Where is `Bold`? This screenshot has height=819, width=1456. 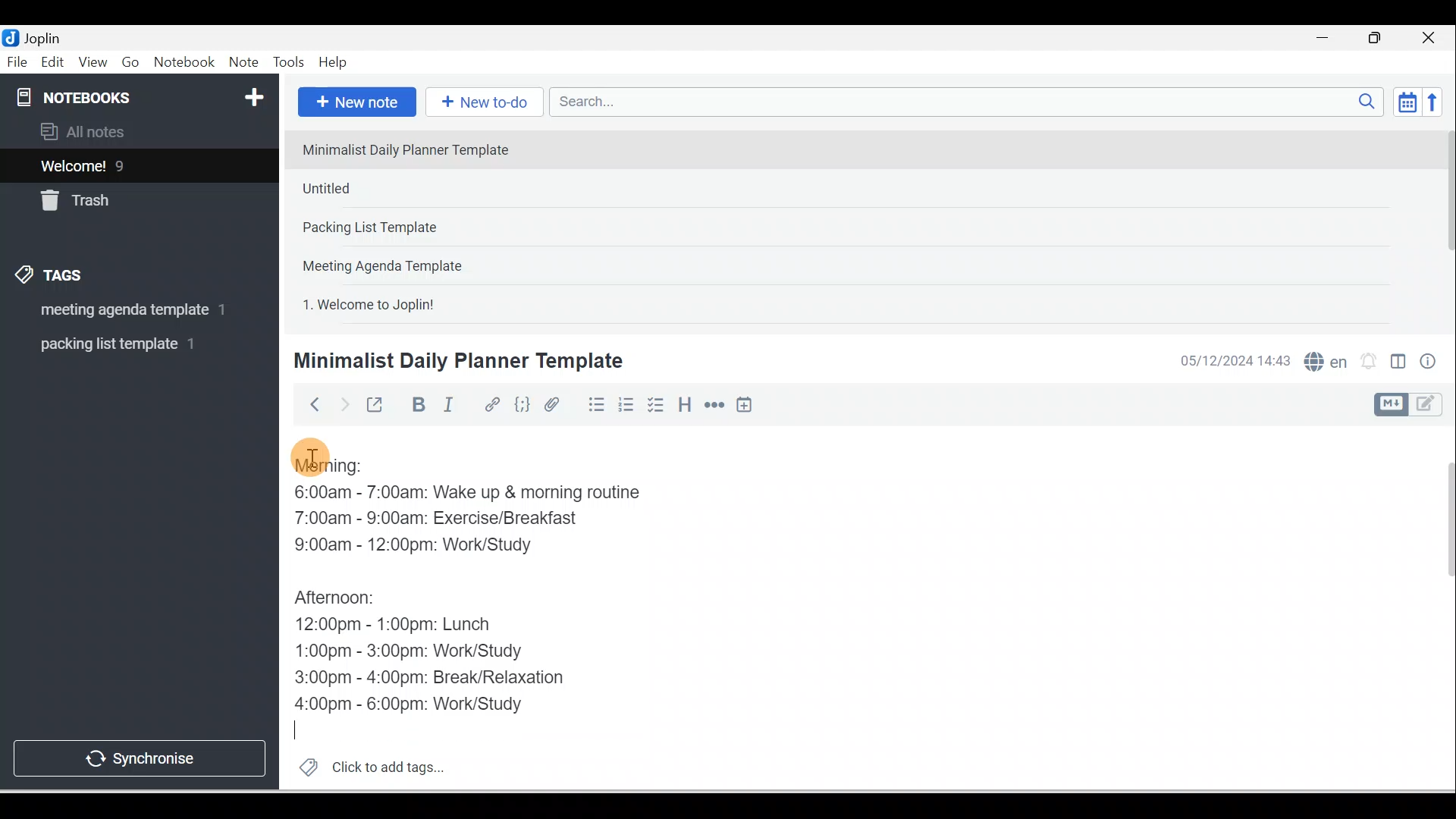
Bold is located at coordinates (416, 405).